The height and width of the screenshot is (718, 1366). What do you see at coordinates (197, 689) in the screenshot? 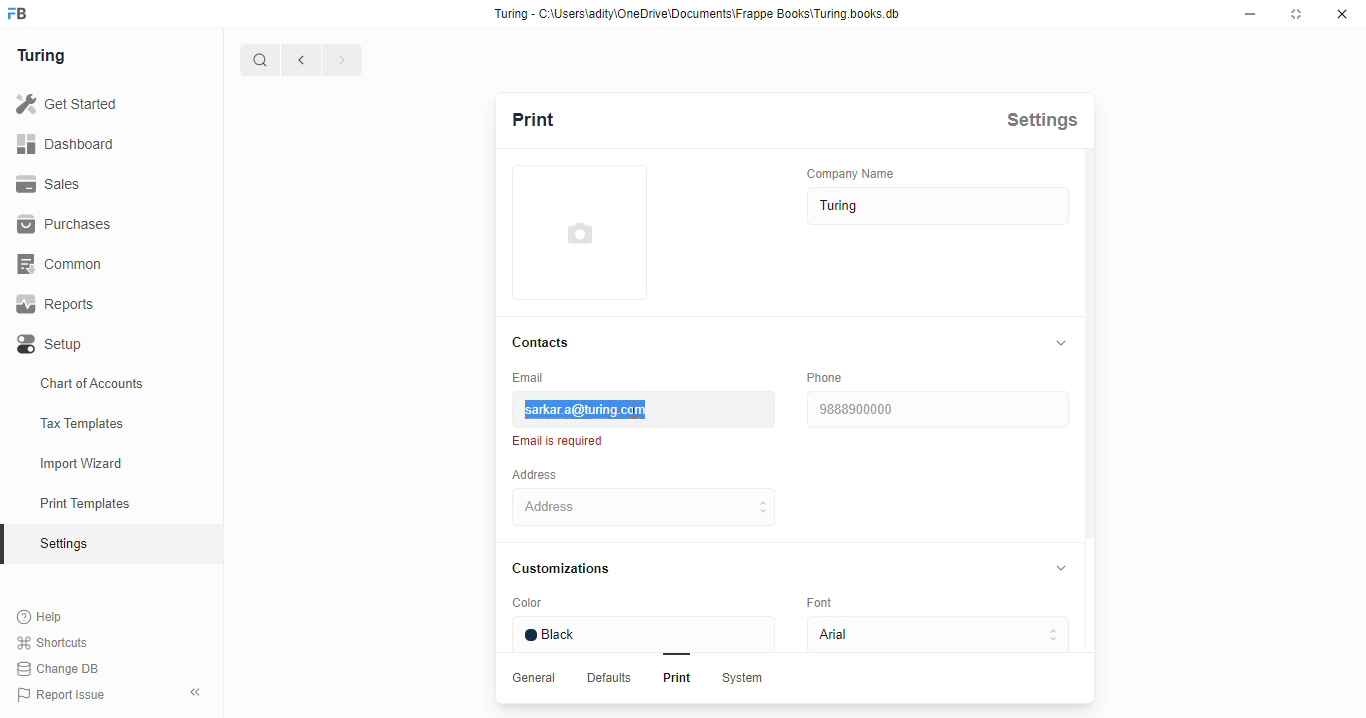
I see `collapse` at bounding box center [197, 689].